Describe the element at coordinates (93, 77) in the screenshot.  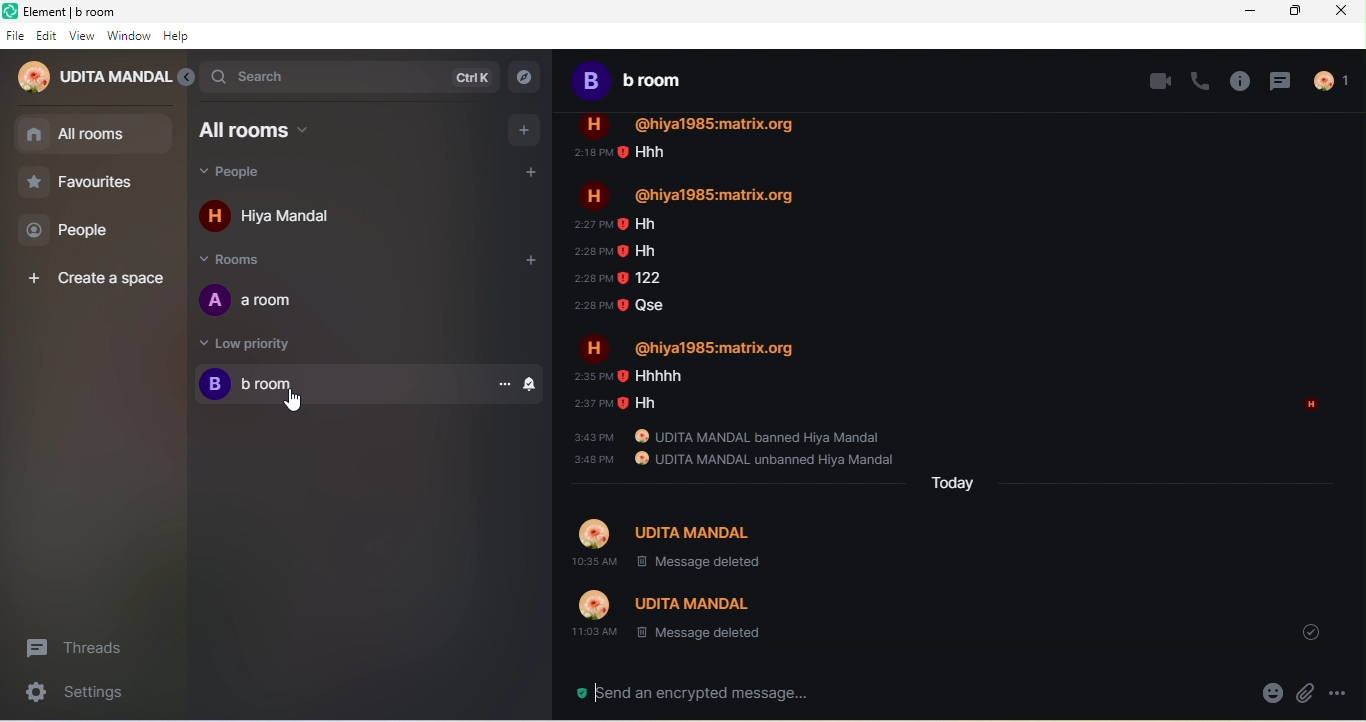
I see `udita mandal` at that location.